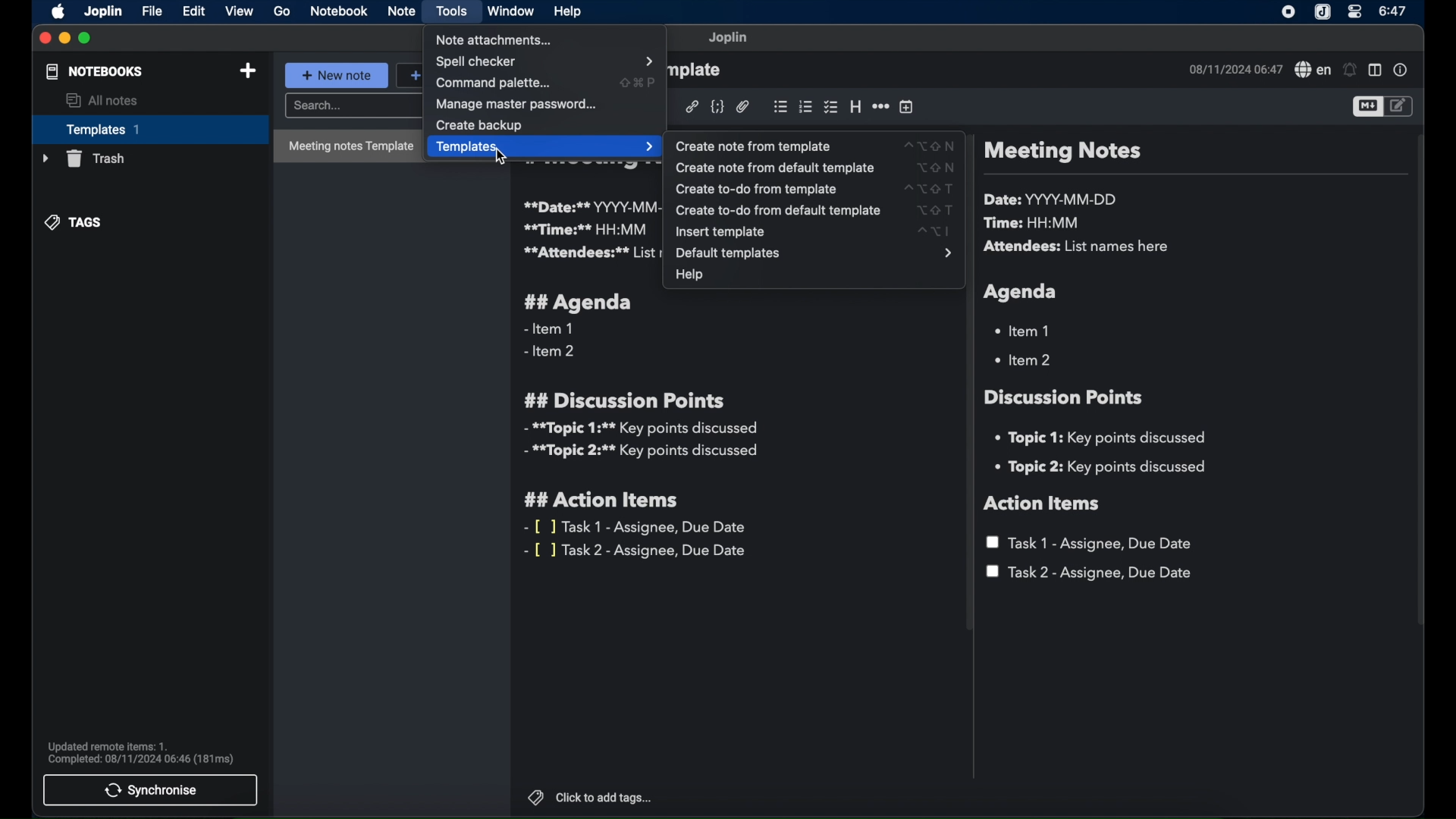  What do you see at coordinates (1025, 359) in the screenshot?
I see `item 2` at bounding box center [1025, 359].